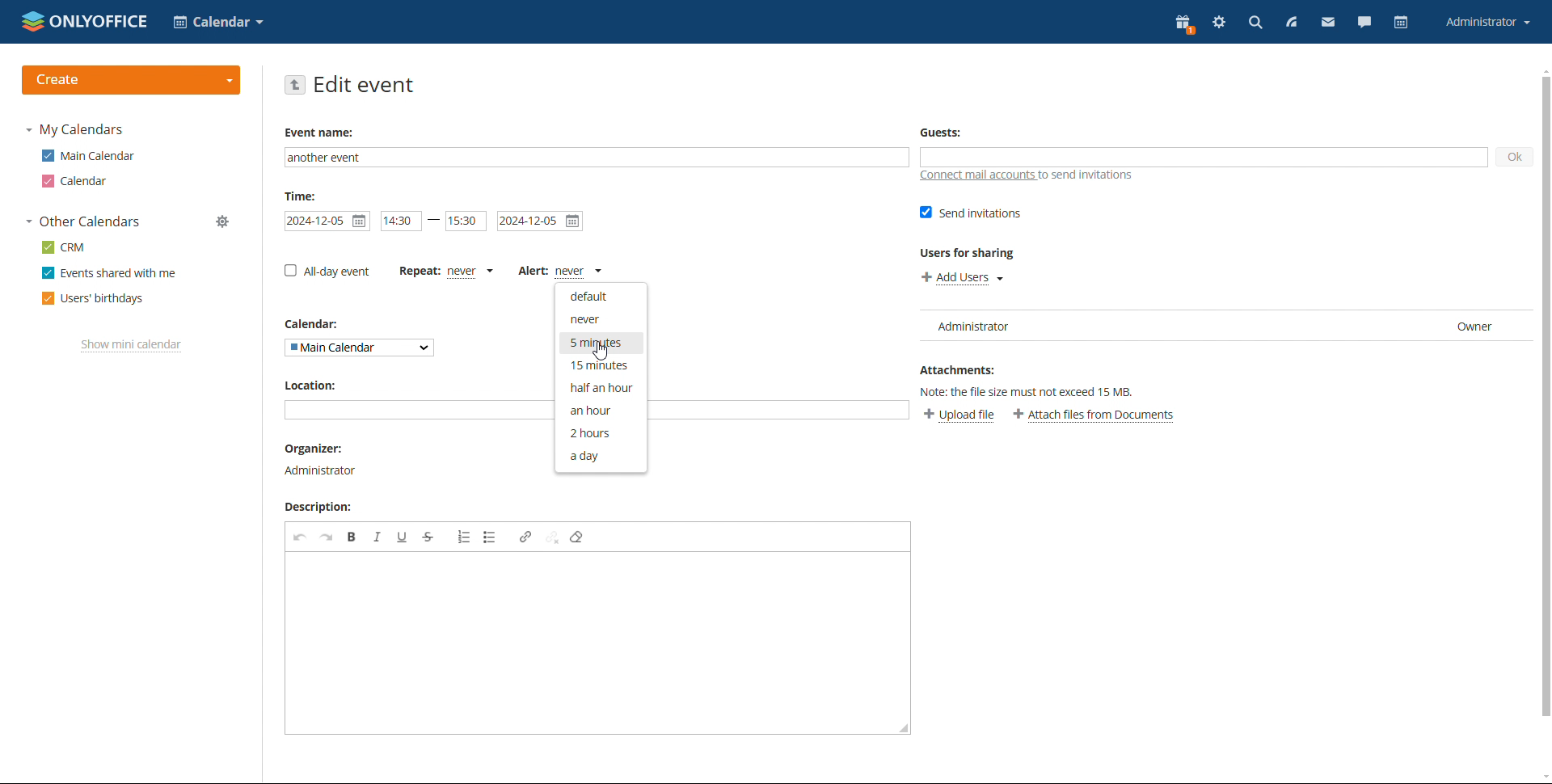  I want to click on add guests, so click(1204, 157).